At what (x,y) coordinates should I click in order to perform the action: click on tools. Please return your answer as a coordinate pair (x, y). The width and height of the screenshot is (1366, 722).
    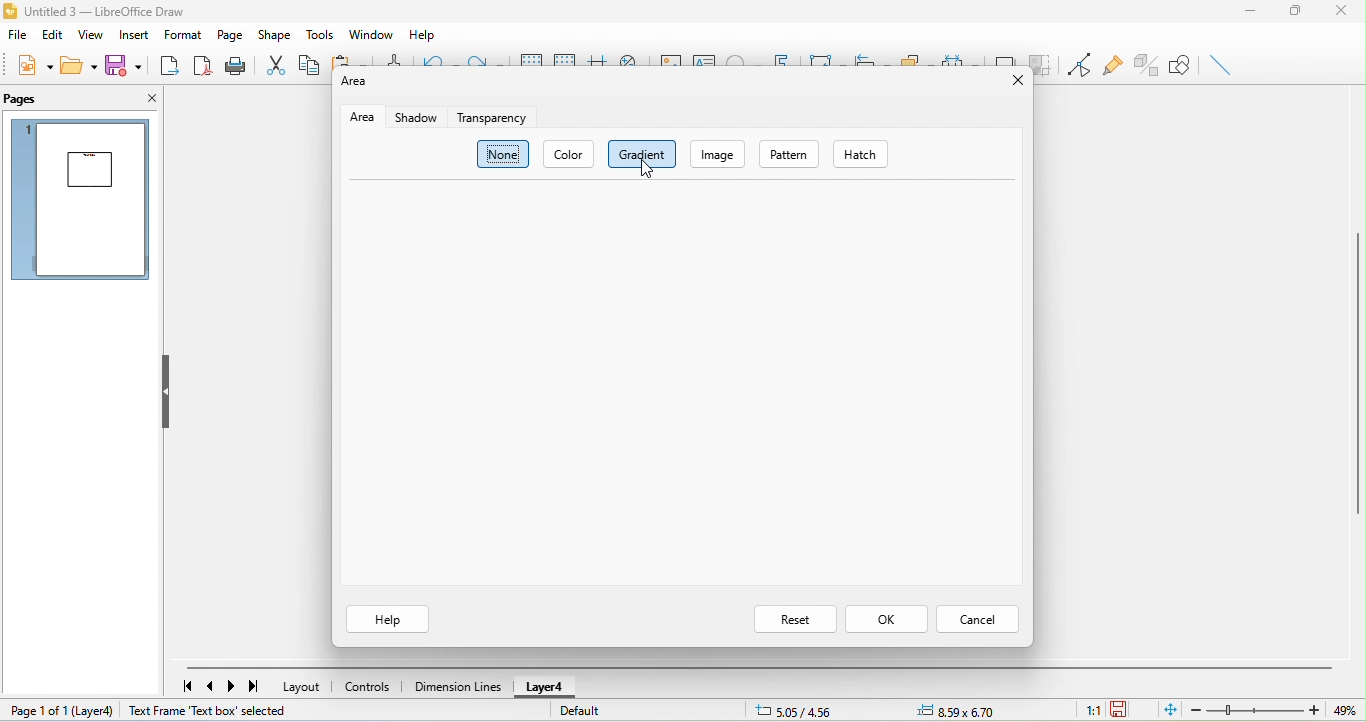
    Looking at the image, I should click on (323, 36).